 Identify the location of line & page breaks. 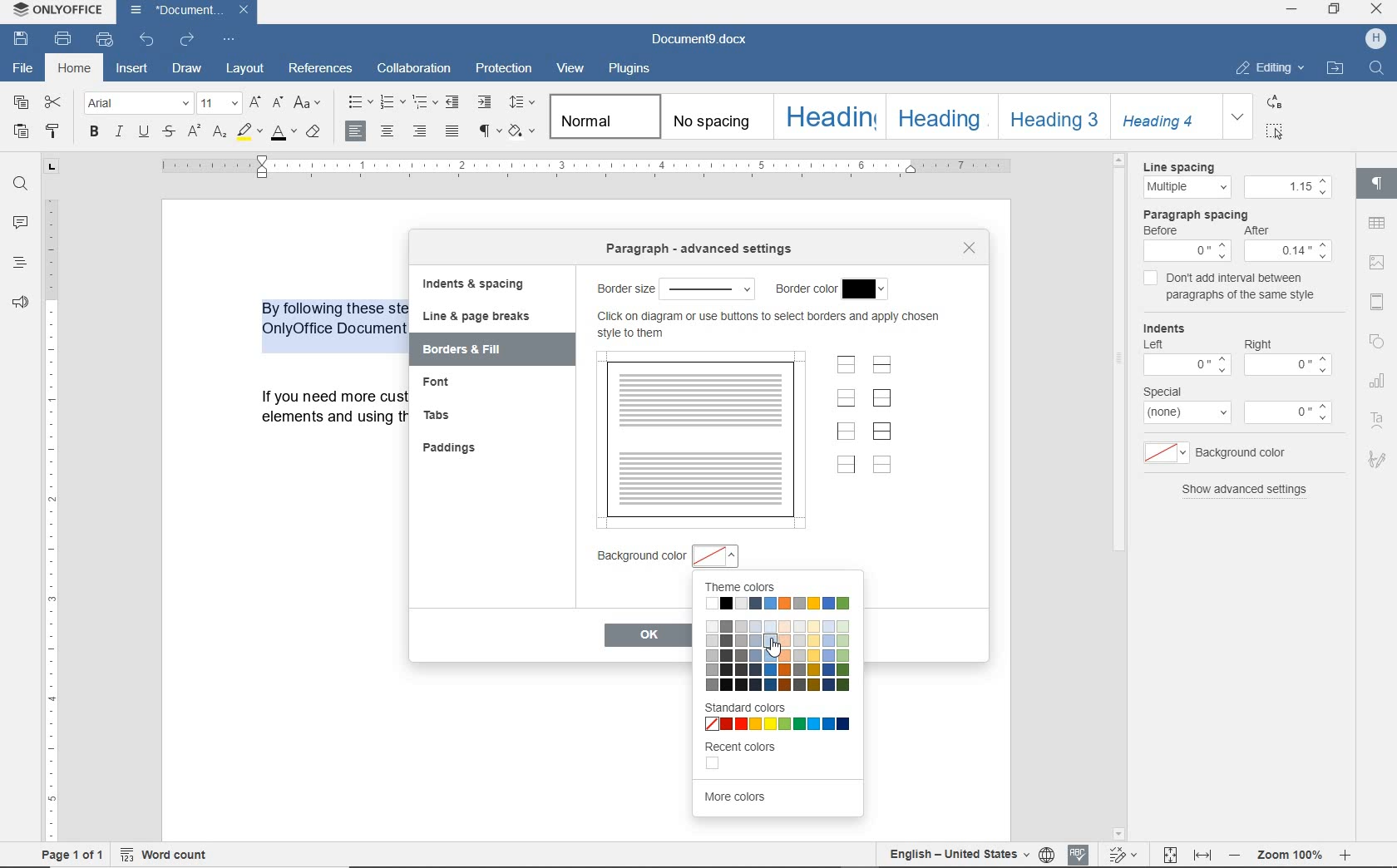
(482, 317).